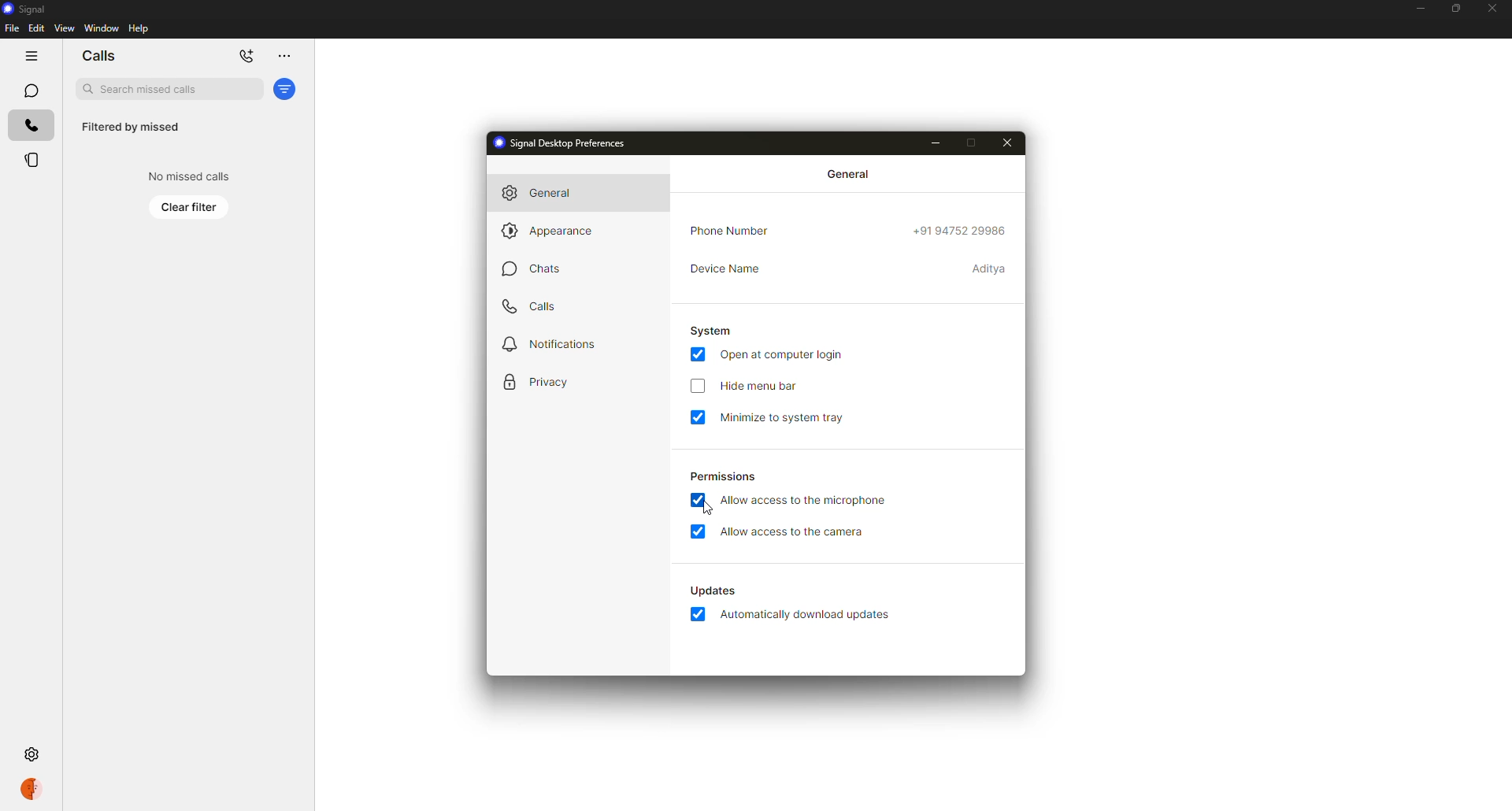 Image resolution: width=1512 pixels, height=811 pixels. What do you see at coordinates (1454, 9) in the screenshot?
I see `maximize` at bounding box center [1454, 9].